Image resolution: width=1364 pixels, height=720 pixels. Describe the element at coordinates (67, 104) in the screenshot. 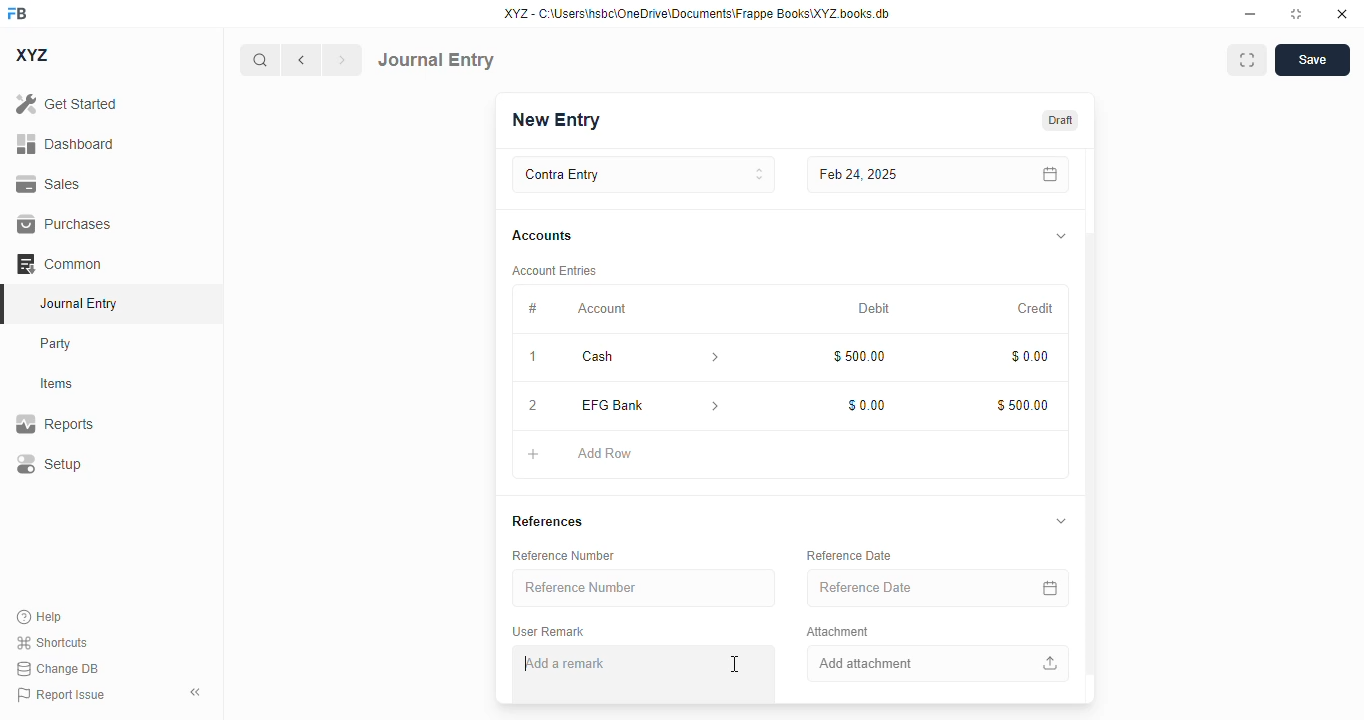

I see `get started` at that location.